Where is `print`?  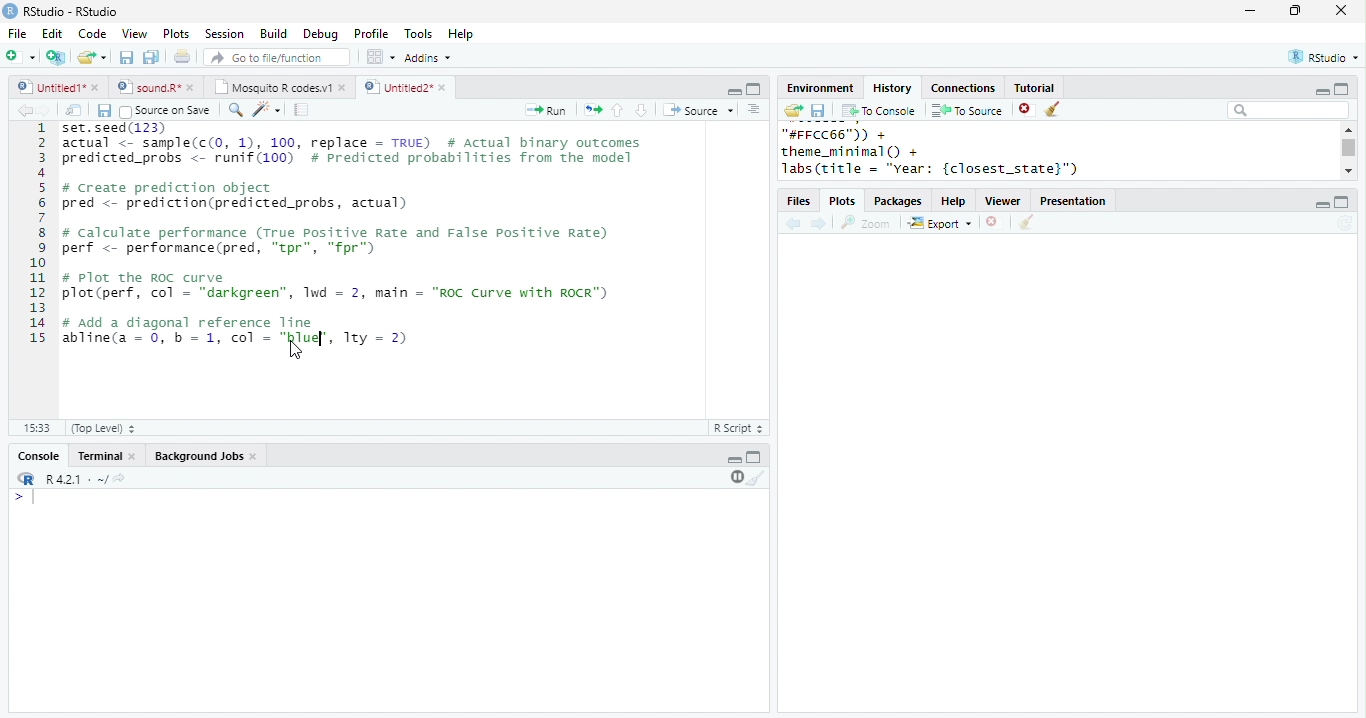
print is located at coordinates (183, 56).